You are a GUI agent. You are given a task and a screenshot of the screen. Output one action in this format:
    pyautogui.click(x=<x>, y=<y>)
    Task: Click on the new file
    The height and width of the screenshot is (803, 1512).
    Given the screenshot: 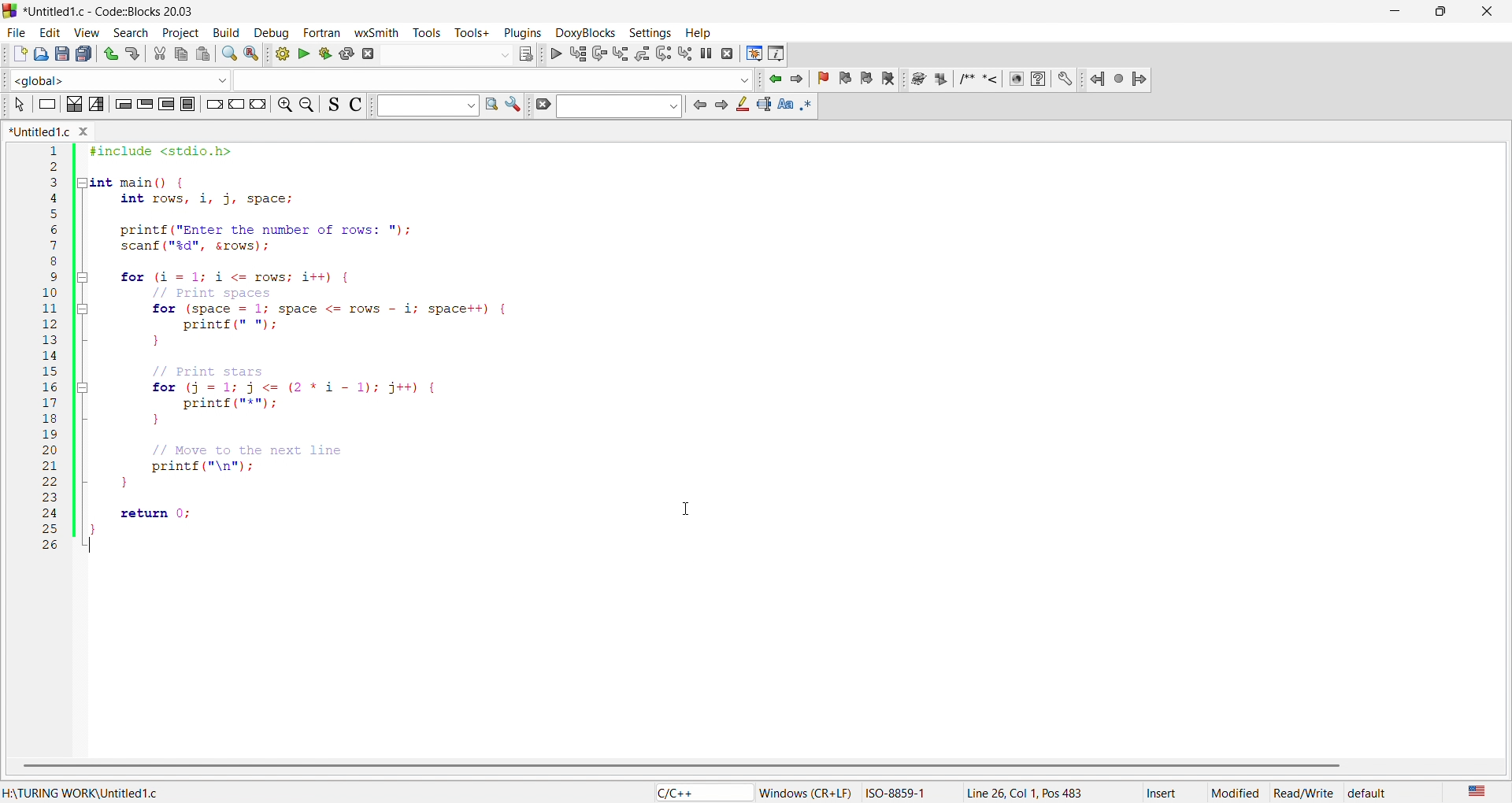 What is the action you would take?
    pyautogui.click(x=14, y=54)
    